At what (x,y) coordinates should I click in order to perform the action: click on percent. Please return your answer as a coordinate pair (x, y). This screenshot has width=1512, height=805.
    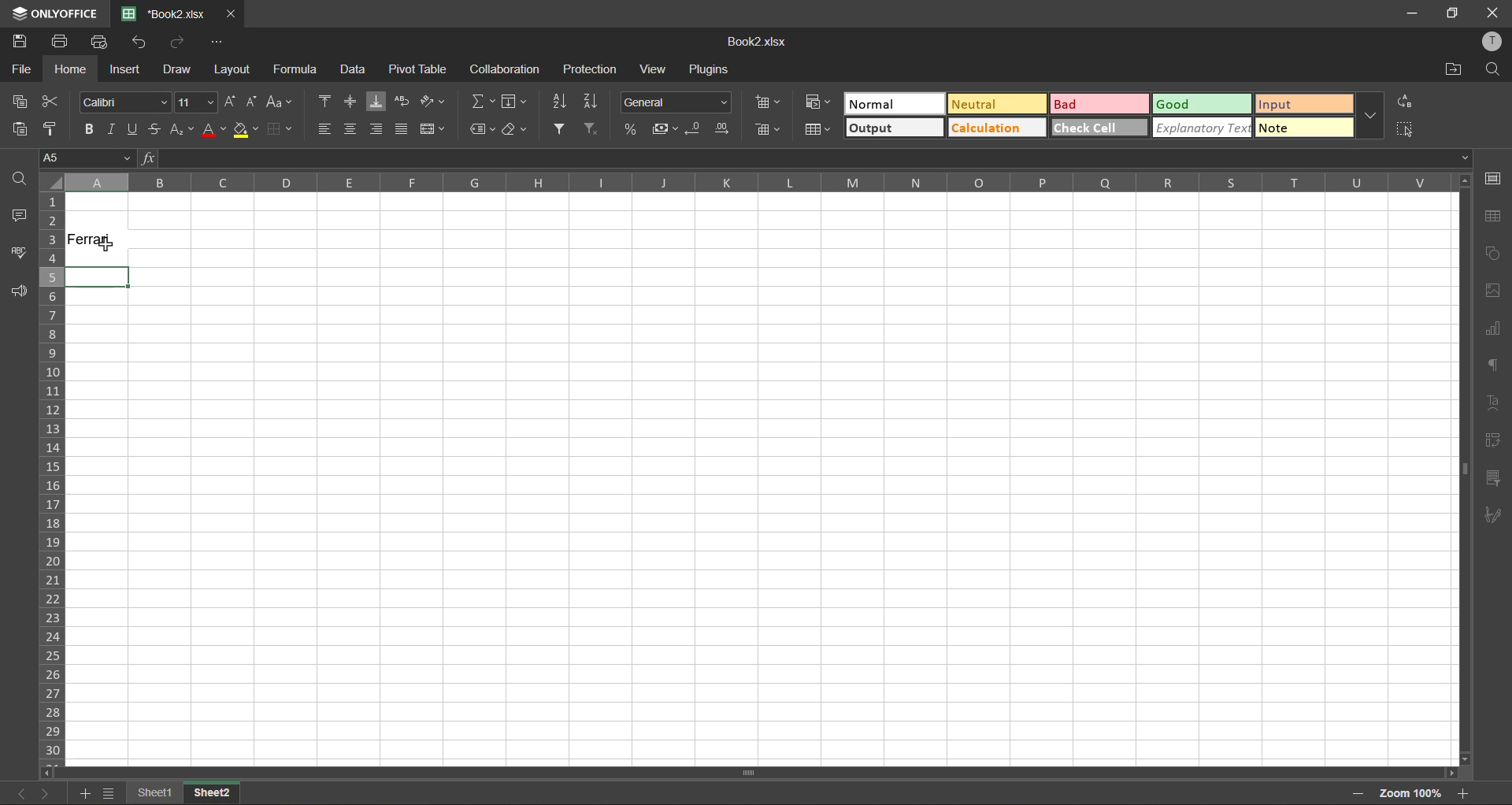
    Looking at the image, I should click on (629, 129).